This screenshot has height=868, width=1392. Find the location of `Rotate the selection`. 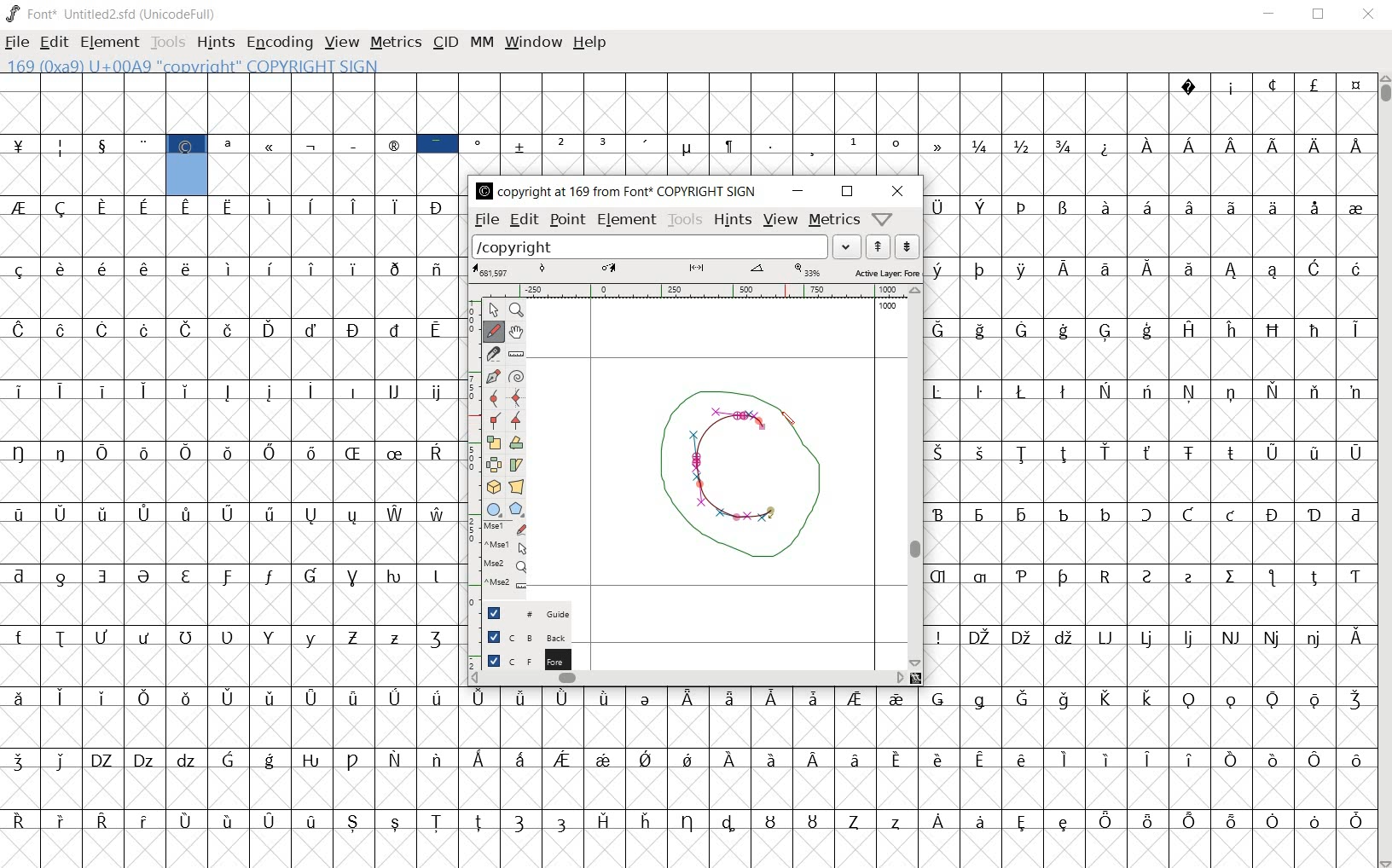

Rotate the selection is located at coordinates (517, 444).